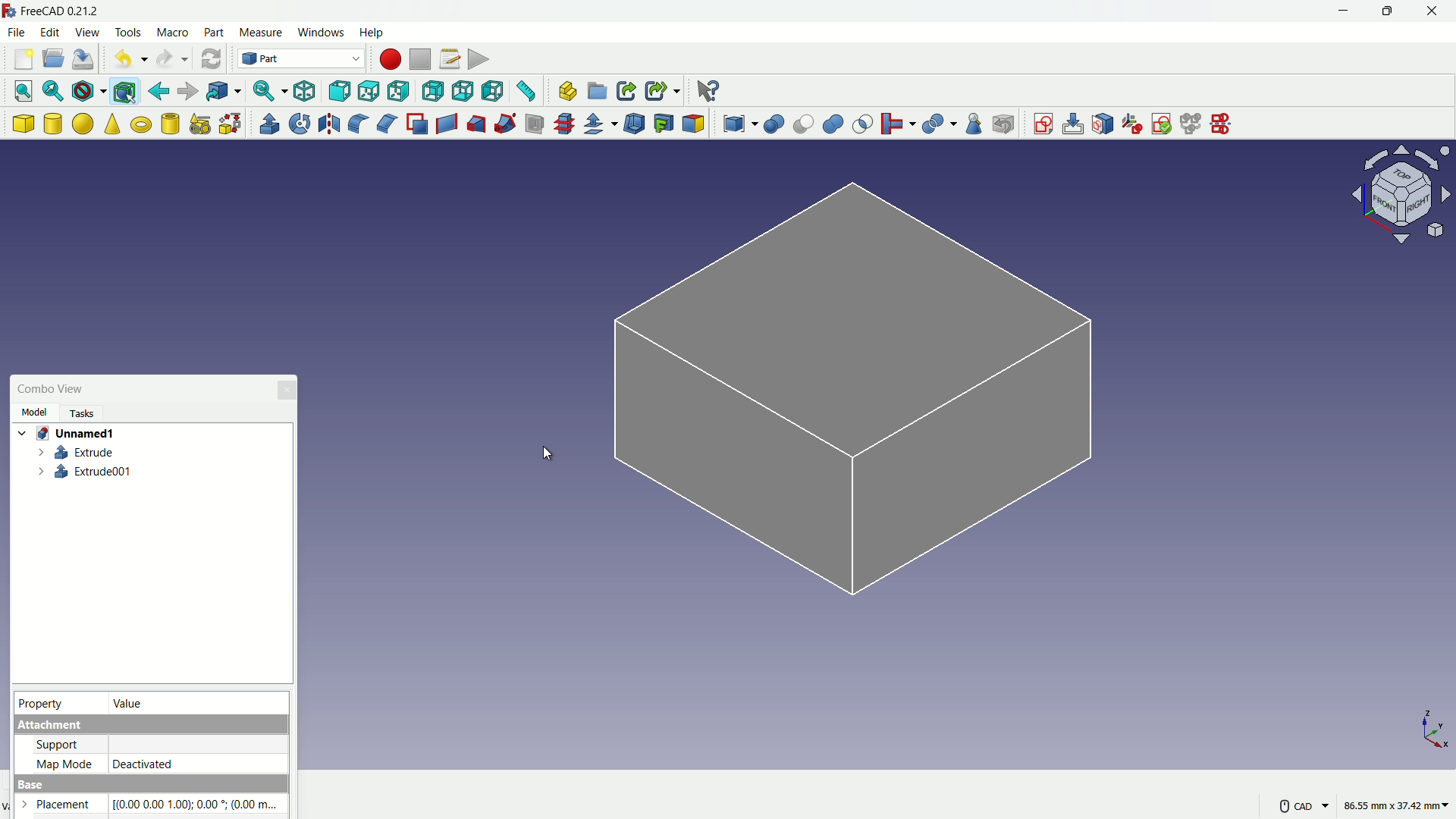  What do you see at coordinates (61, 806) in the screenshot?
I see `placement` at bounding box center [61, 806].